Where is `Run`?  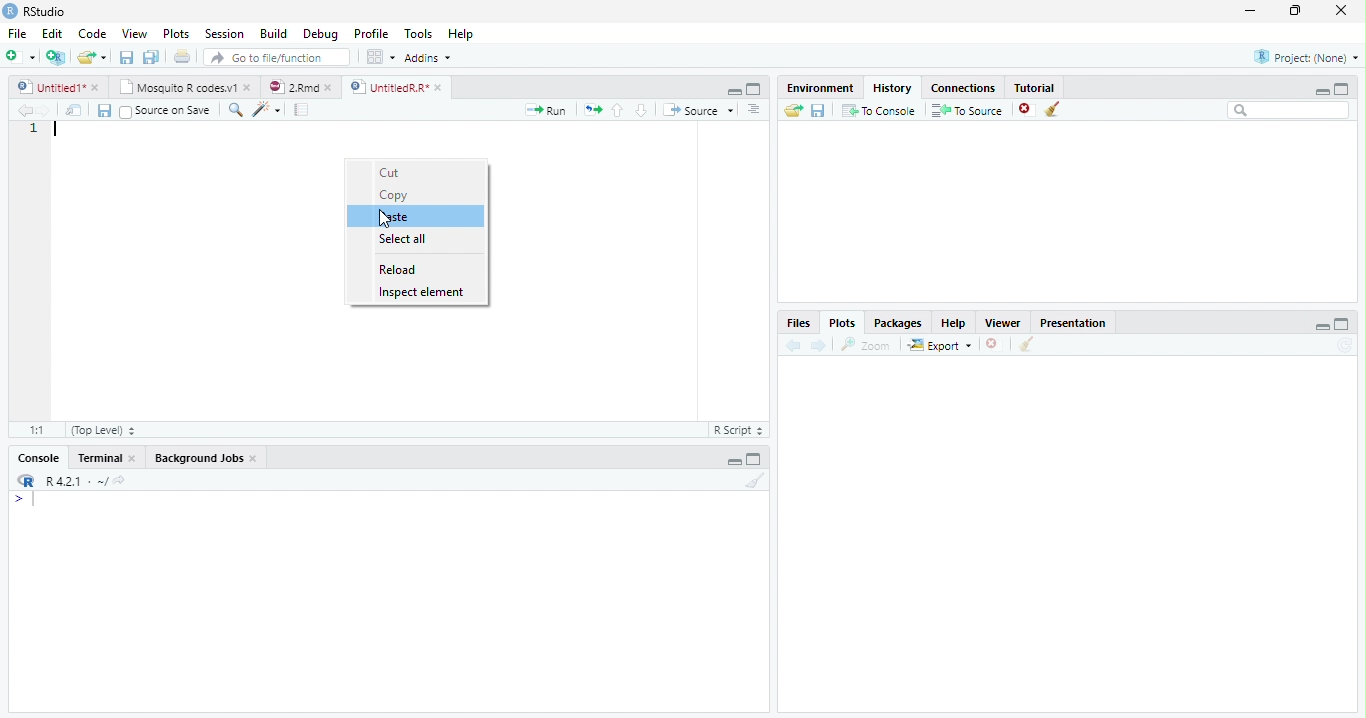 Run is located at coordinates (542, 111).